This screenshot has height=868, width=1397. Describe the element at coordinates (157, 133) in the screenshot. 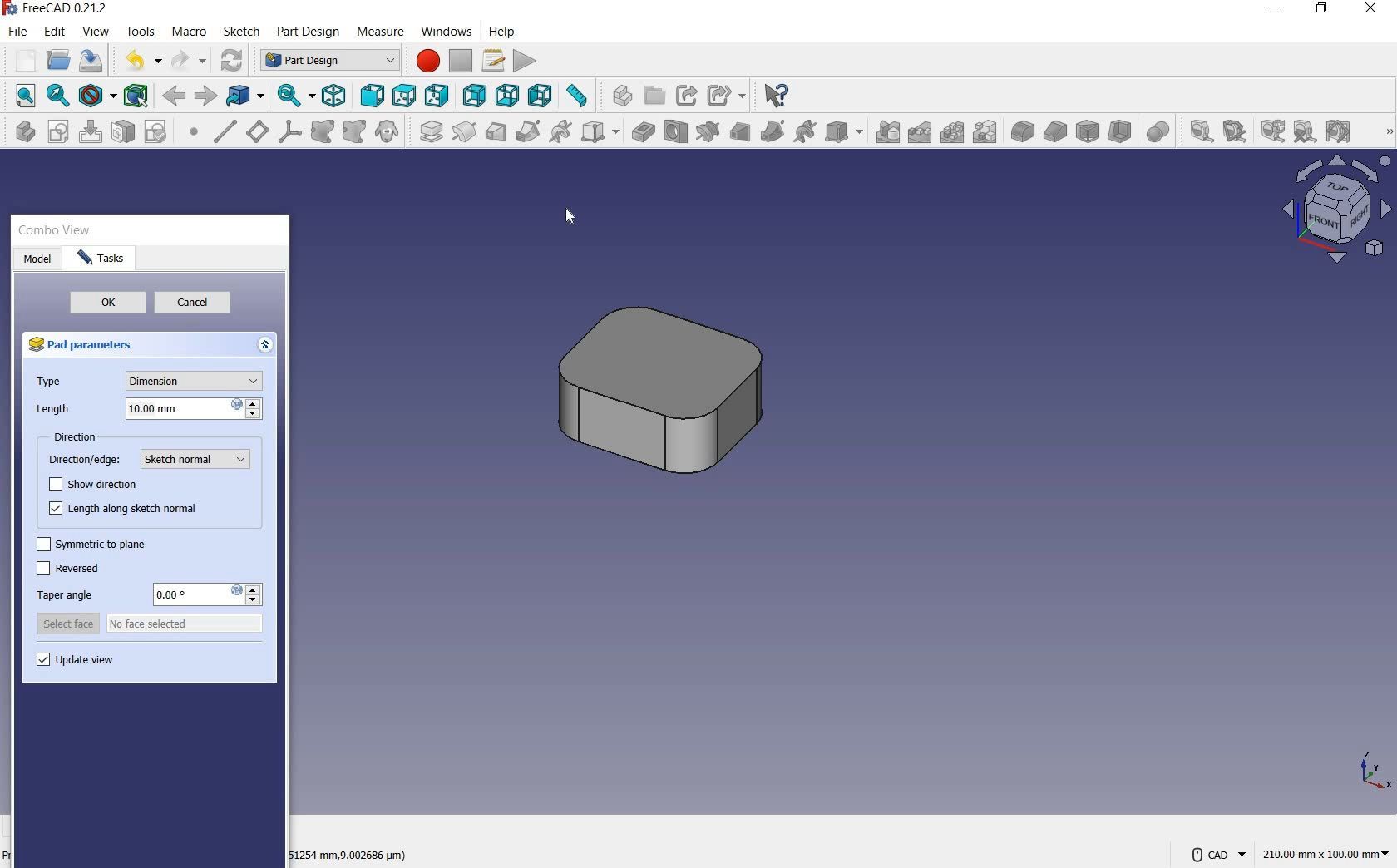

I see `validate sketch` at that location.